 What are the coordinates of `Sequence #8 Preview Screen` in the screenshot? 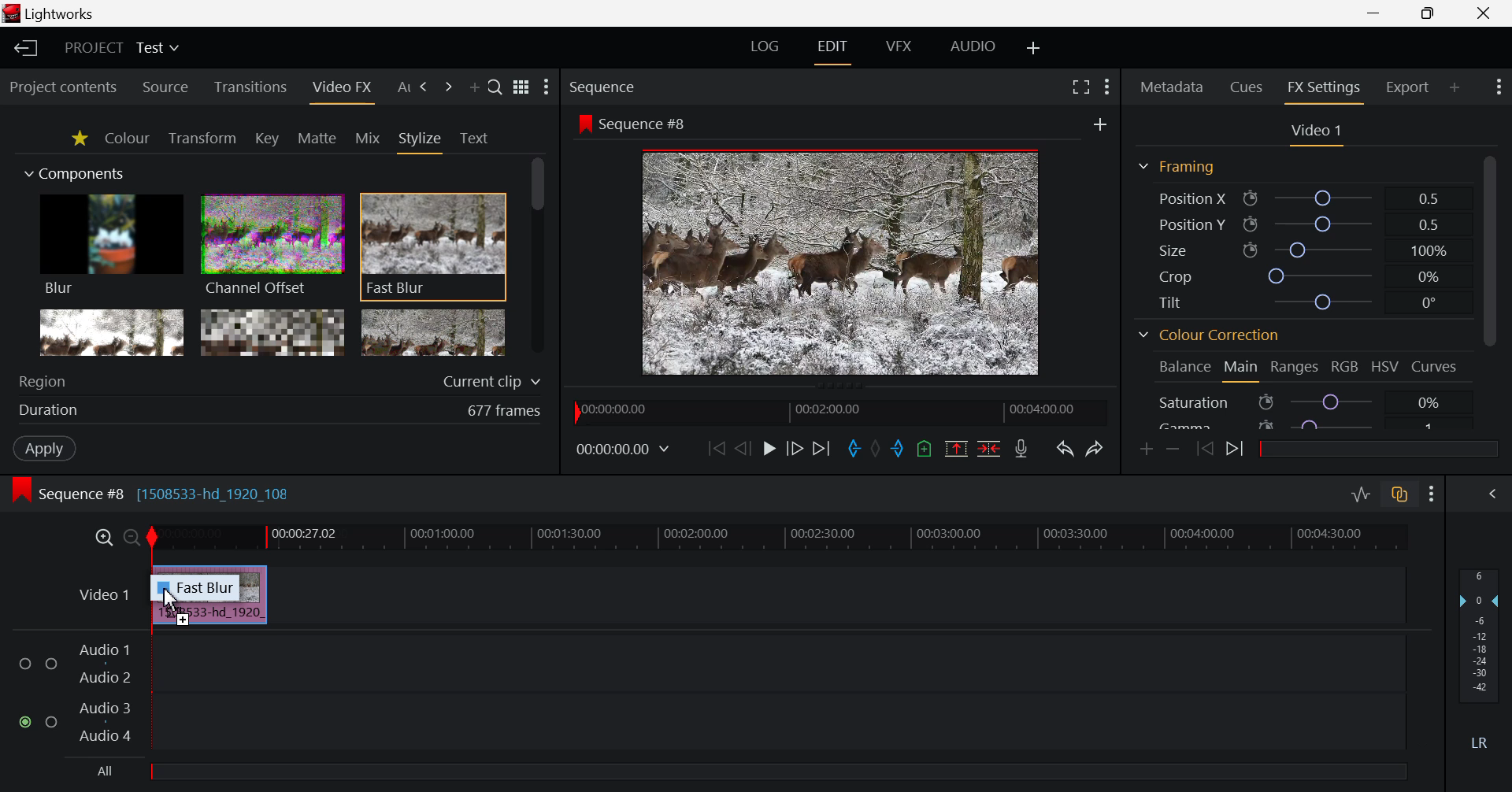 It's located at (842, 264).